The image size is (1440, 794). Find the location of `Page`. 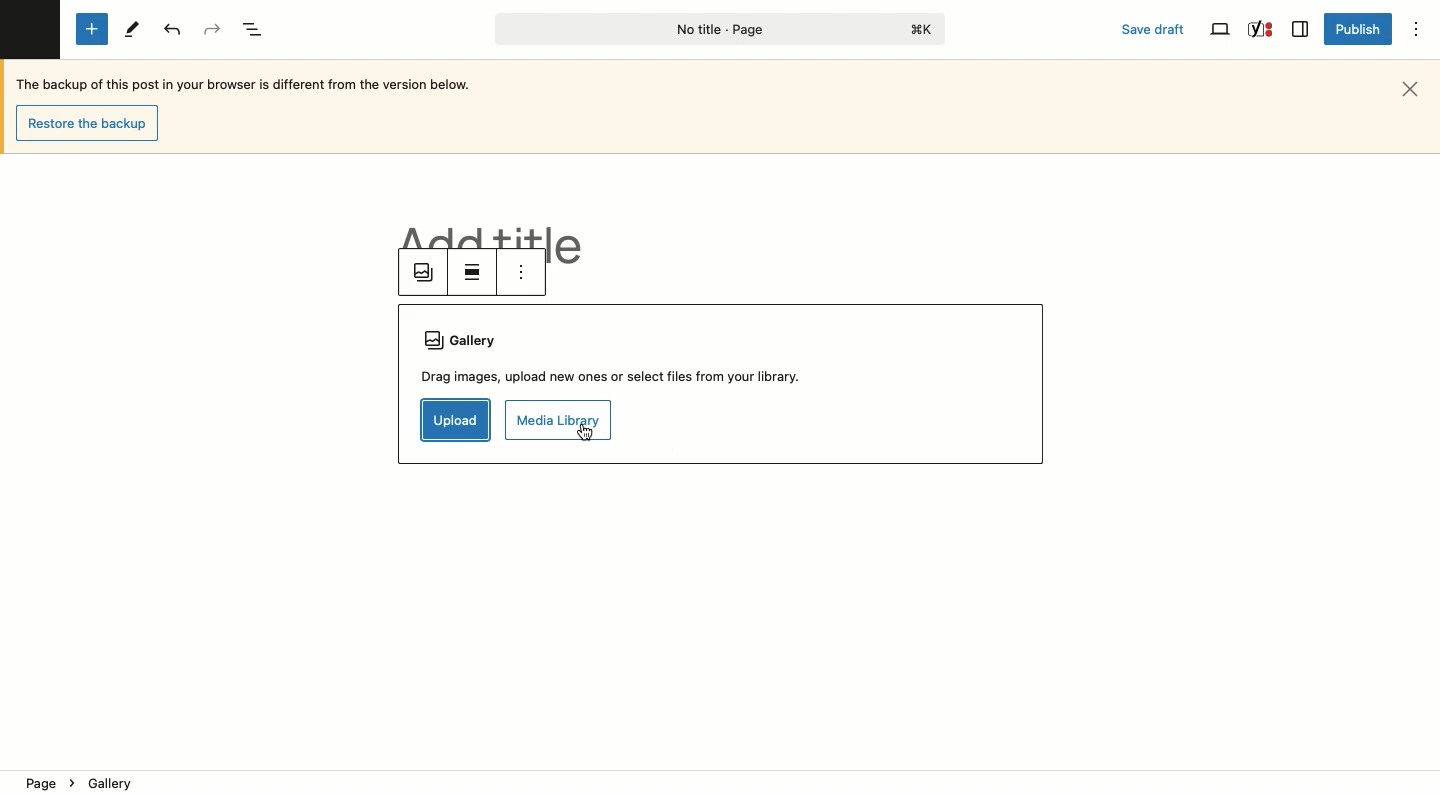

Page is located at coordinates (714, 30).